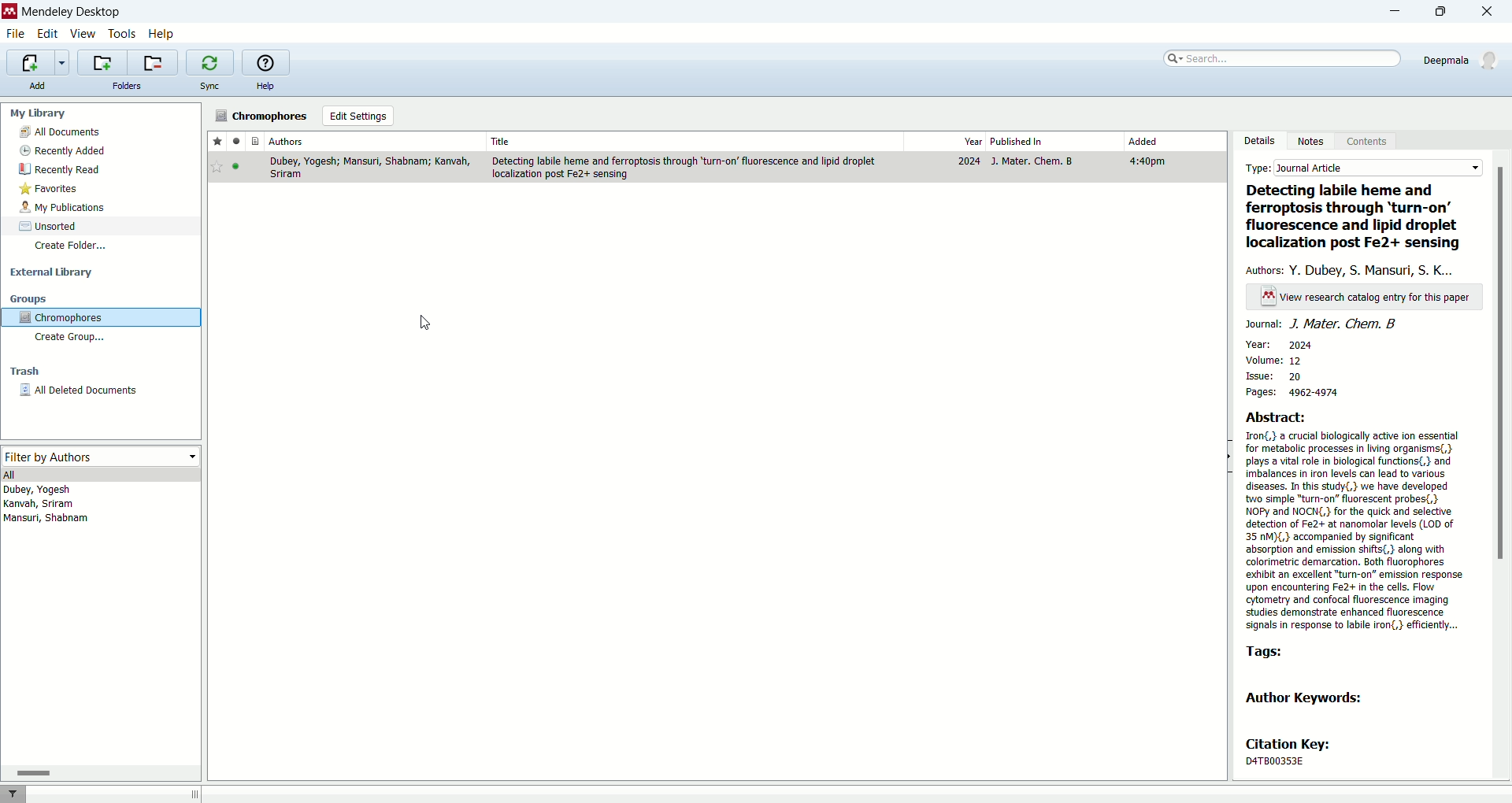  Describe the element at coordinates (49, 33) in the screenshot. I see `edit` at that location.